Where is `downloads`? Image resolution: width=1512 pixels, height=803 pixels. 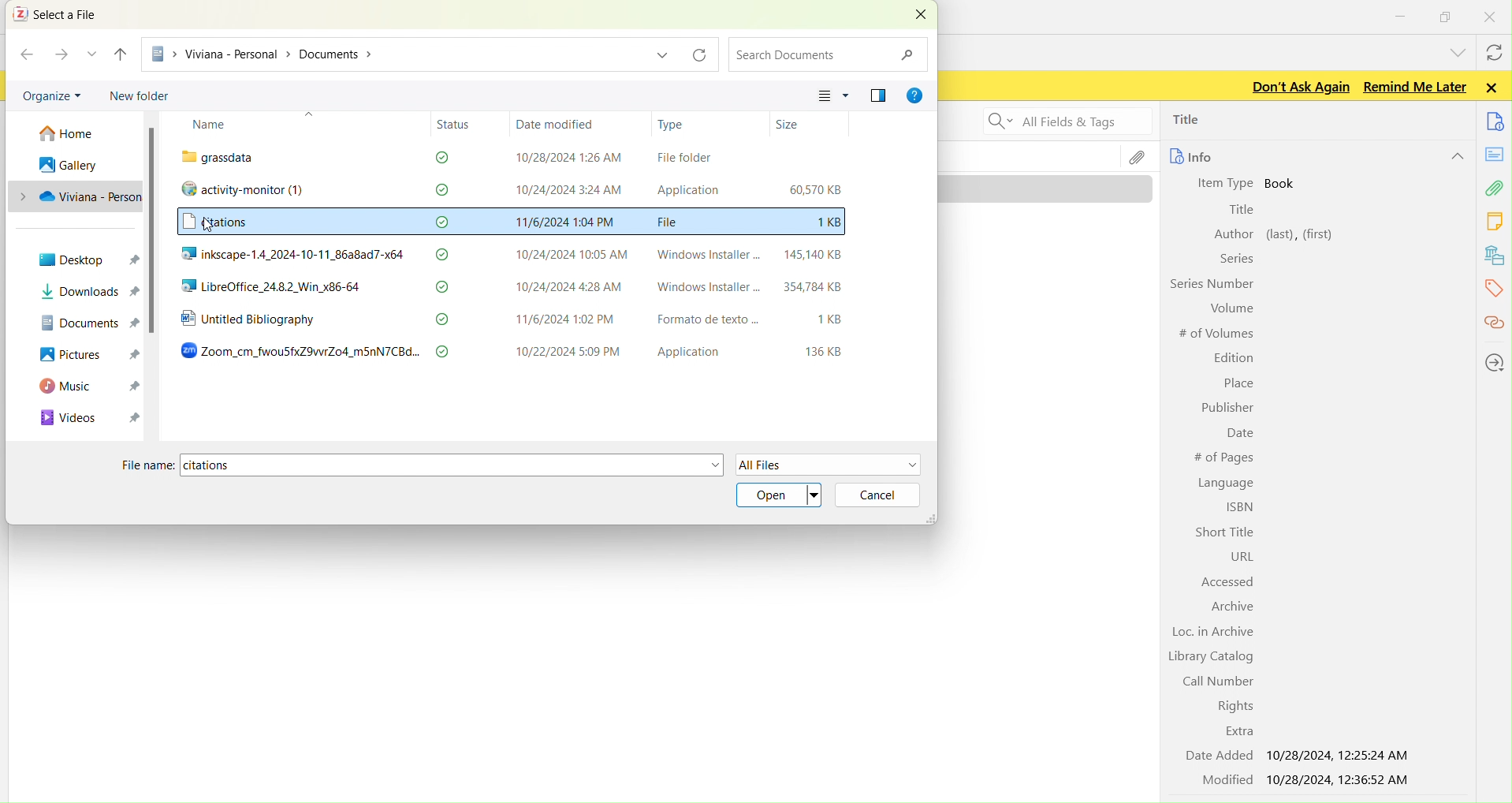 downloads is located at coordinates (76, 292).